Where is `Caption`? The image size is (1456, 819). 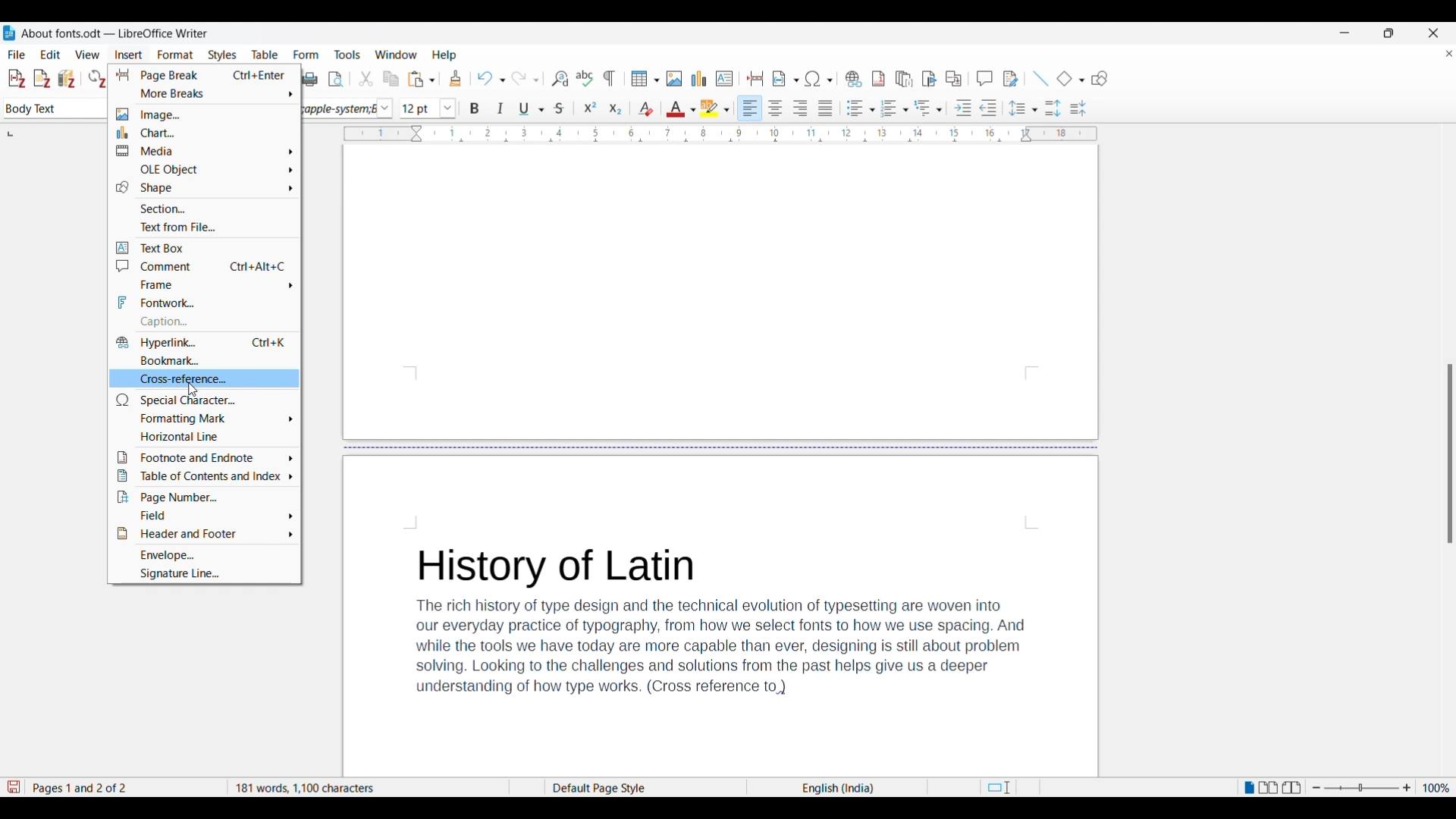
Caption is located at coordinates (204, 322).